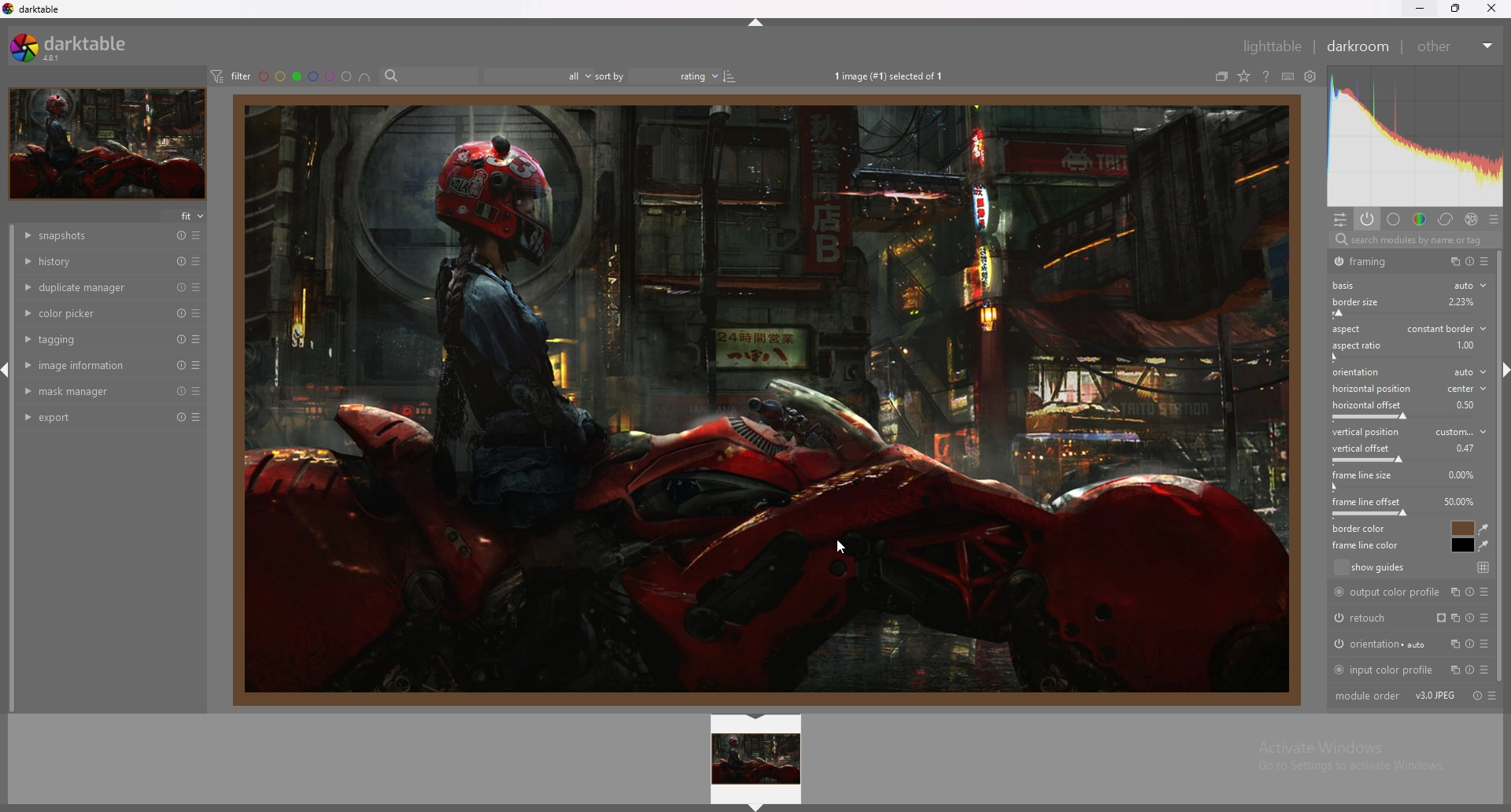 The height and width of the screenshot is (812, 1511). Describe the element at coordinates (1378, 301) in the screenshot. I see `border size` at that location.